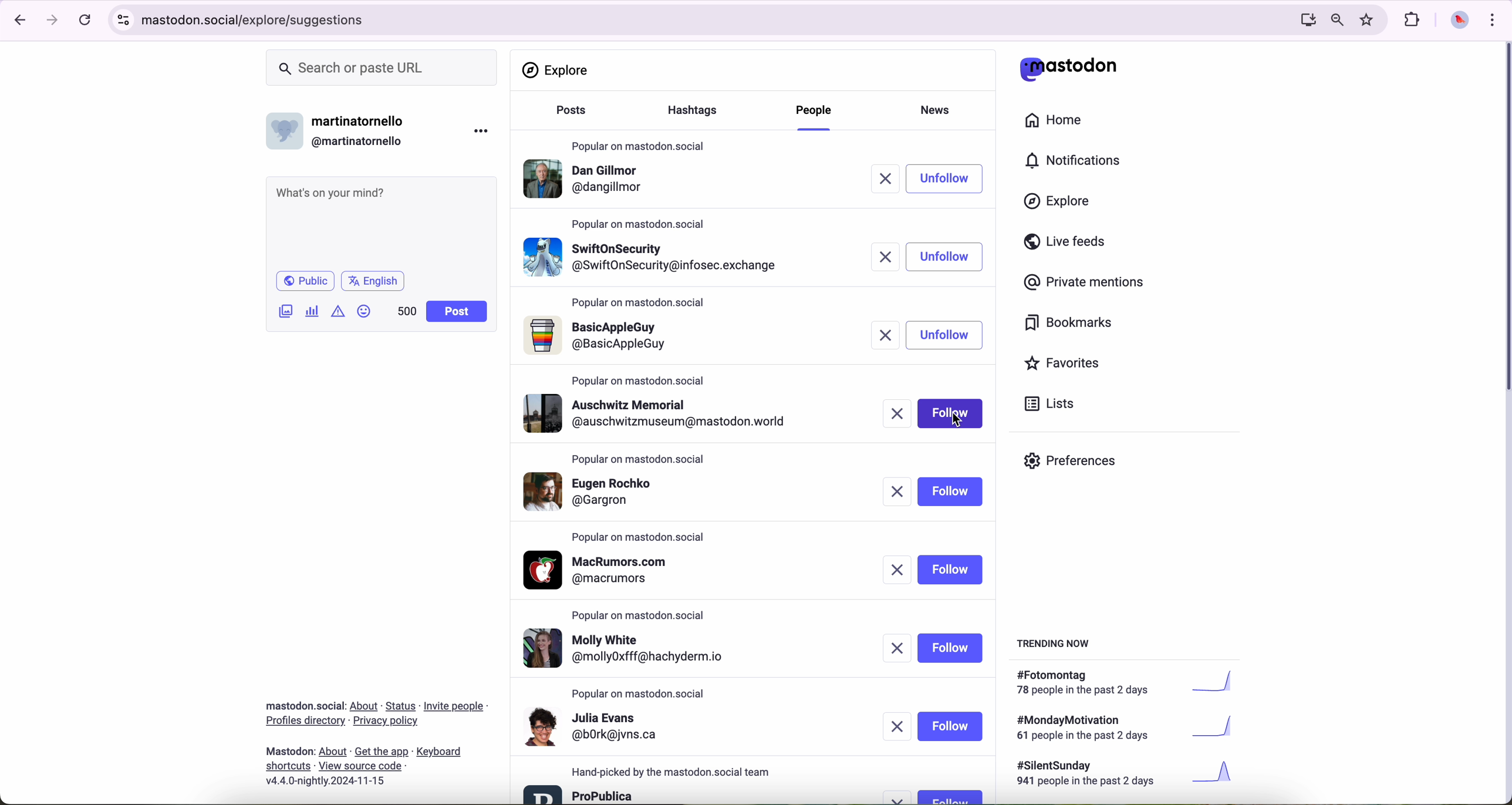 This screenshot has width=1512, height=805. What do you see at coordinates (639, 143) in the screenshot?
I see `popular on mastodon.social` at bounding box center [639, 143].